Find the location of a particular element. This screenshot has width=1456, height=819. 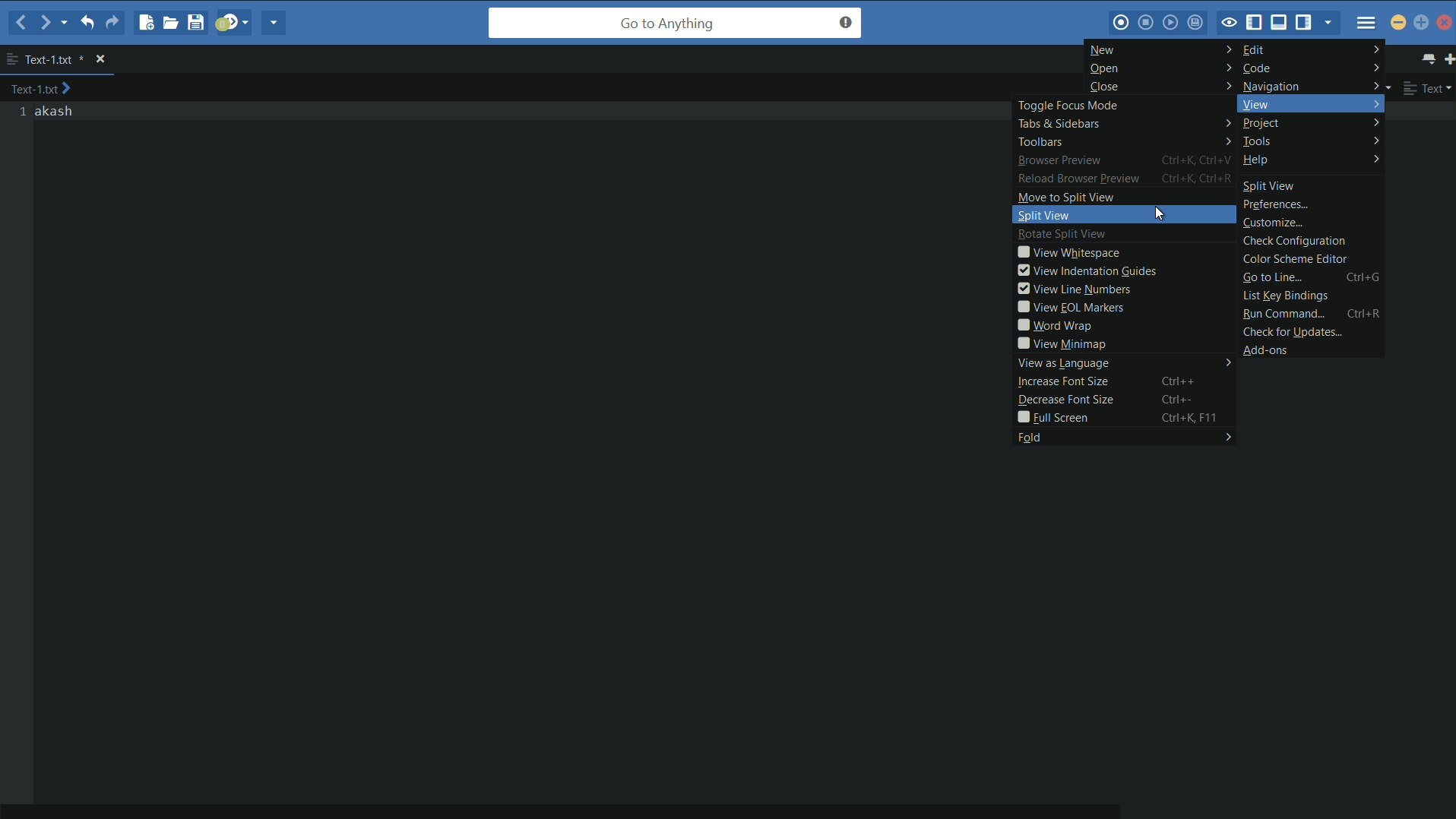

customize is located at coordinates (1313, 223).